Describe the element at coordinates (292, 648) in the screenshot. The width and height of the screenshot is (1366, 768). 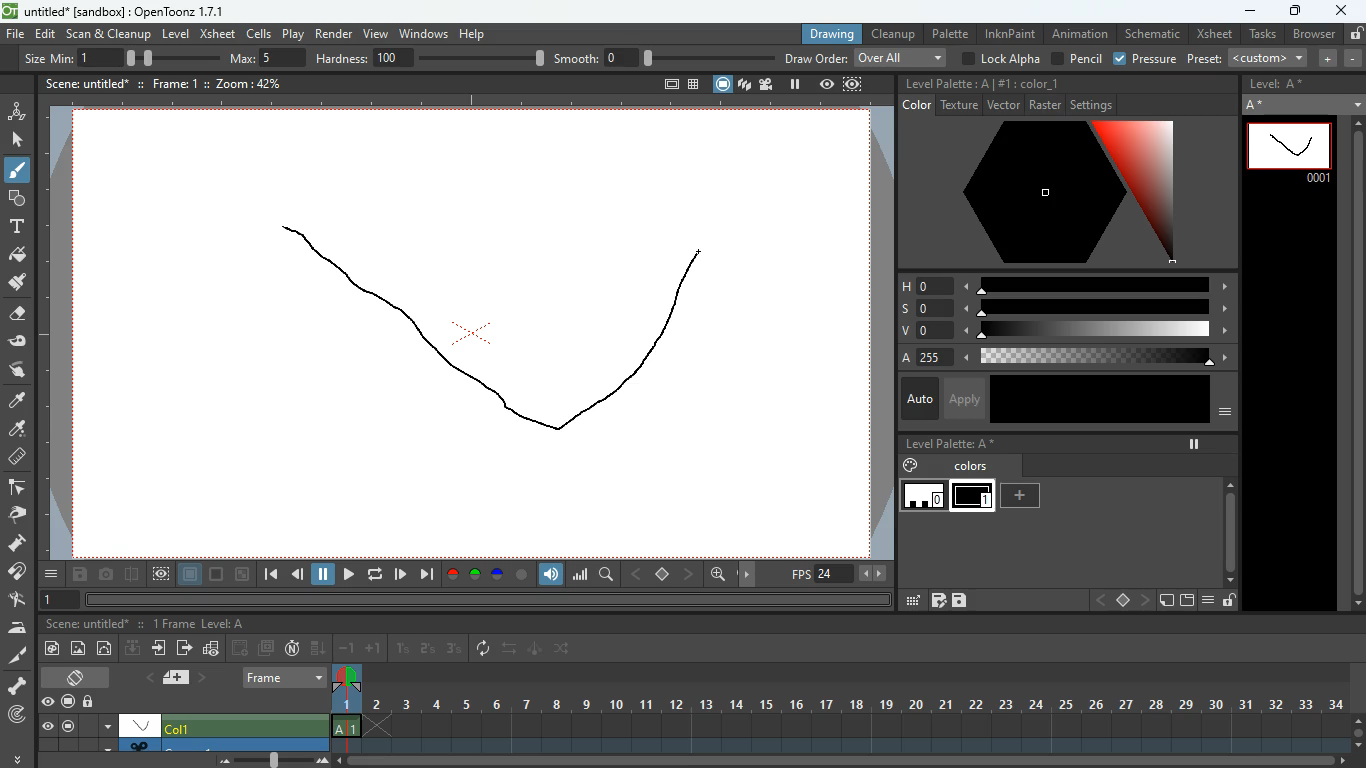
I see `n` at that location.